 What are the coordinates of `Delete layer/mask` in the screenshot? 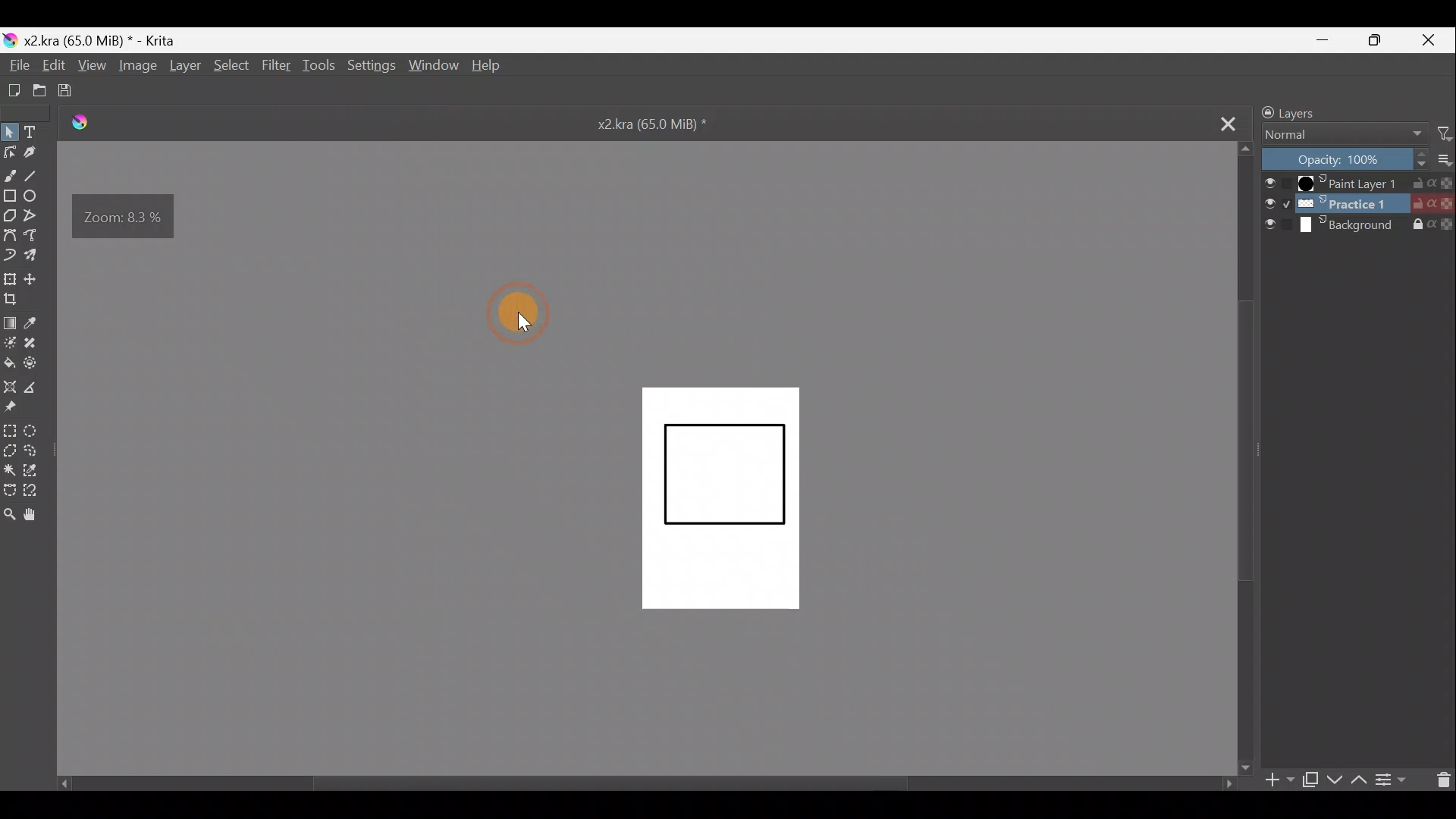 It's located at (1439, 780).